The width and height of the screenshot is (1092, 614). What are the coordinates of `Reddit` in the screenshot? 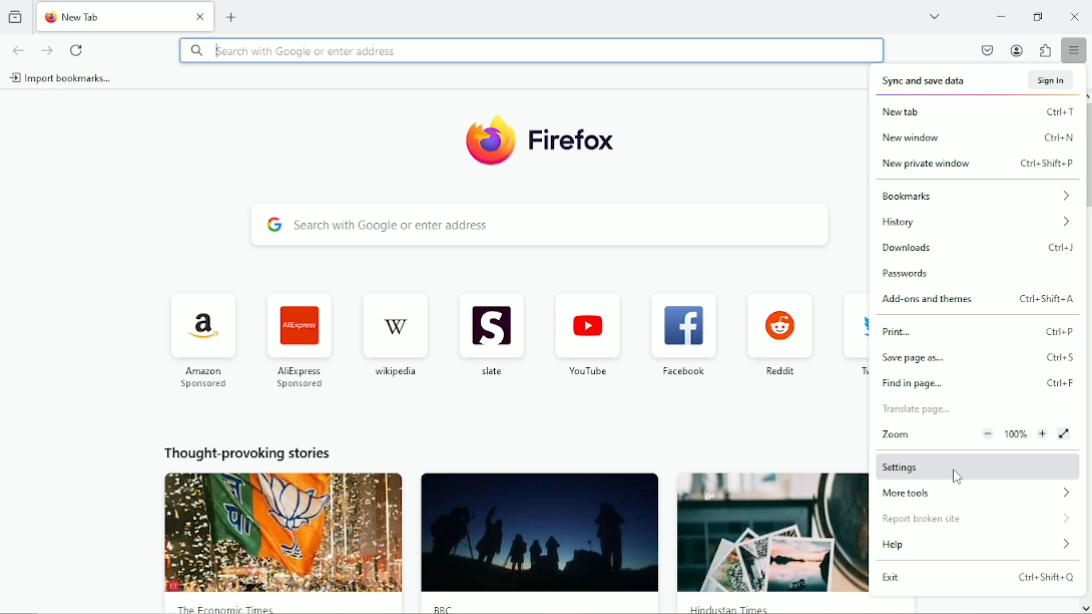 It's located at (778, 336).